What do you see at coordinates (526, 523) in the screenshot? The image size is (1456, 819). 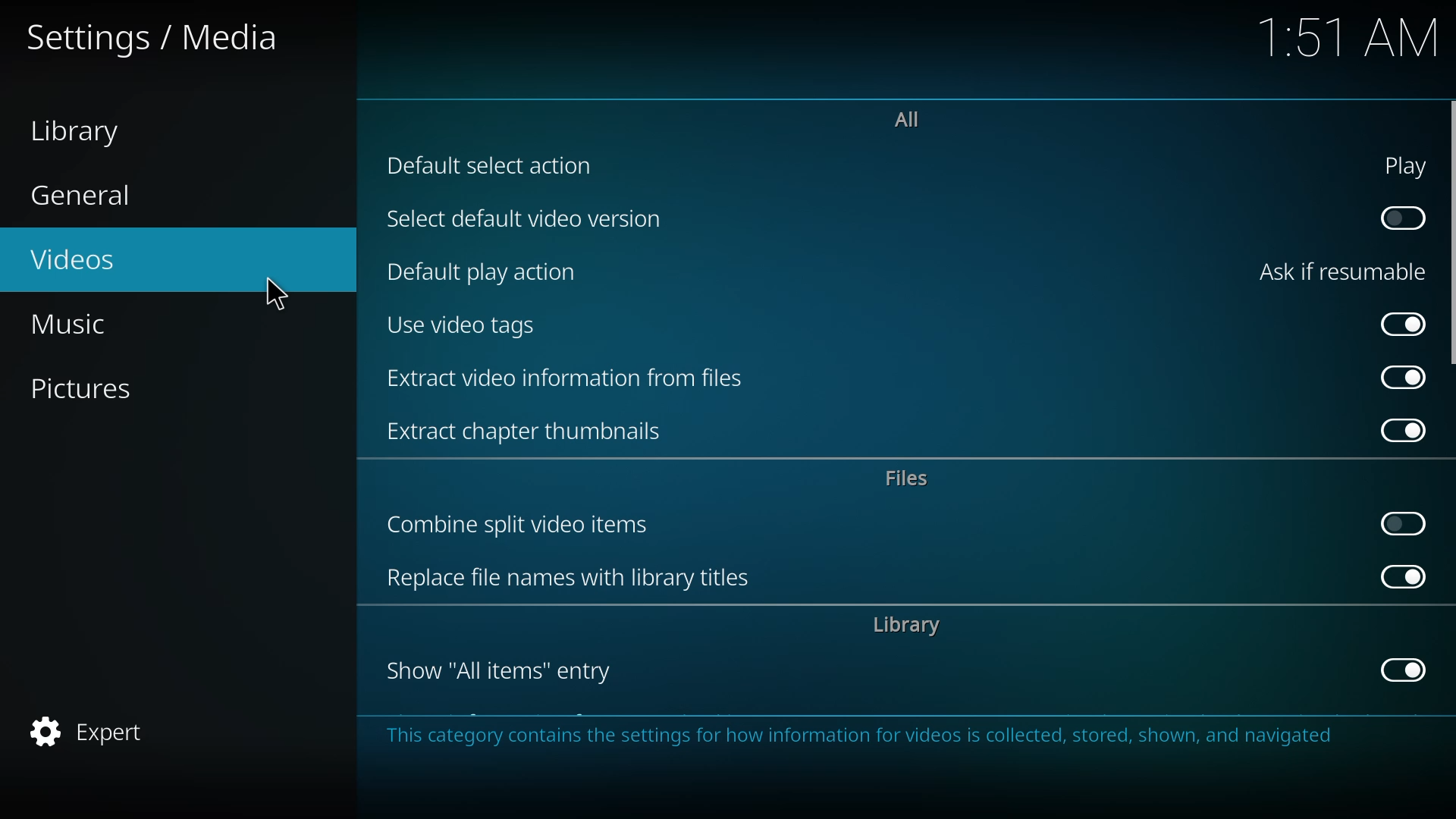 I see `combine split video items` at bounding box center [526, 523].